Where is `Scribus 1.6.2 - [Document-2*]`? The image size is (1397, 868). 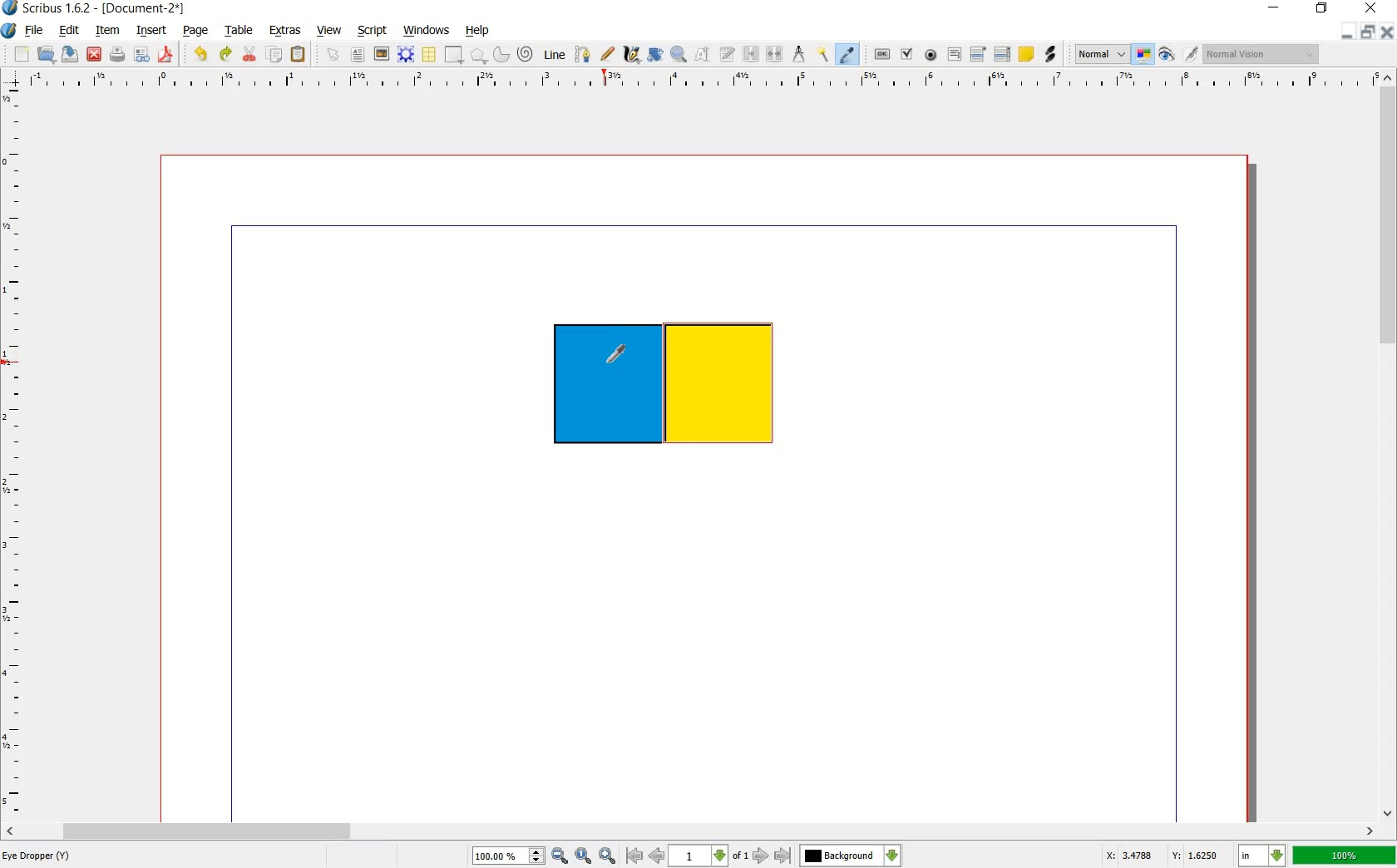
Scribus 1.6.2 - [Document-2*] is located at coordinates (96, 8).